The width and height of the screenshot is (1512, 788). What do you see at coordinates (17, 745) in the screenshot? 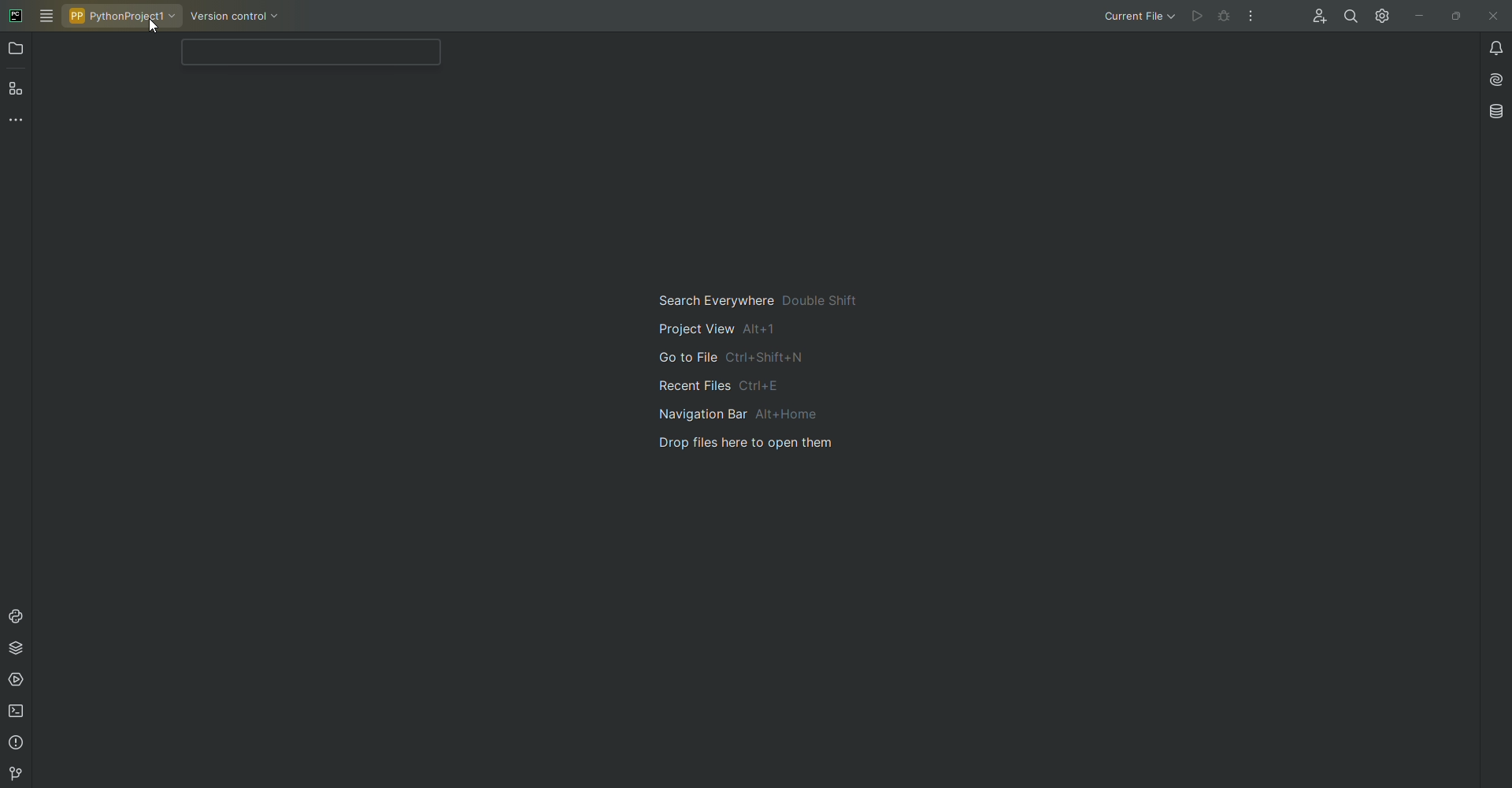
I see `Problems` at bounding box center [17, 745].